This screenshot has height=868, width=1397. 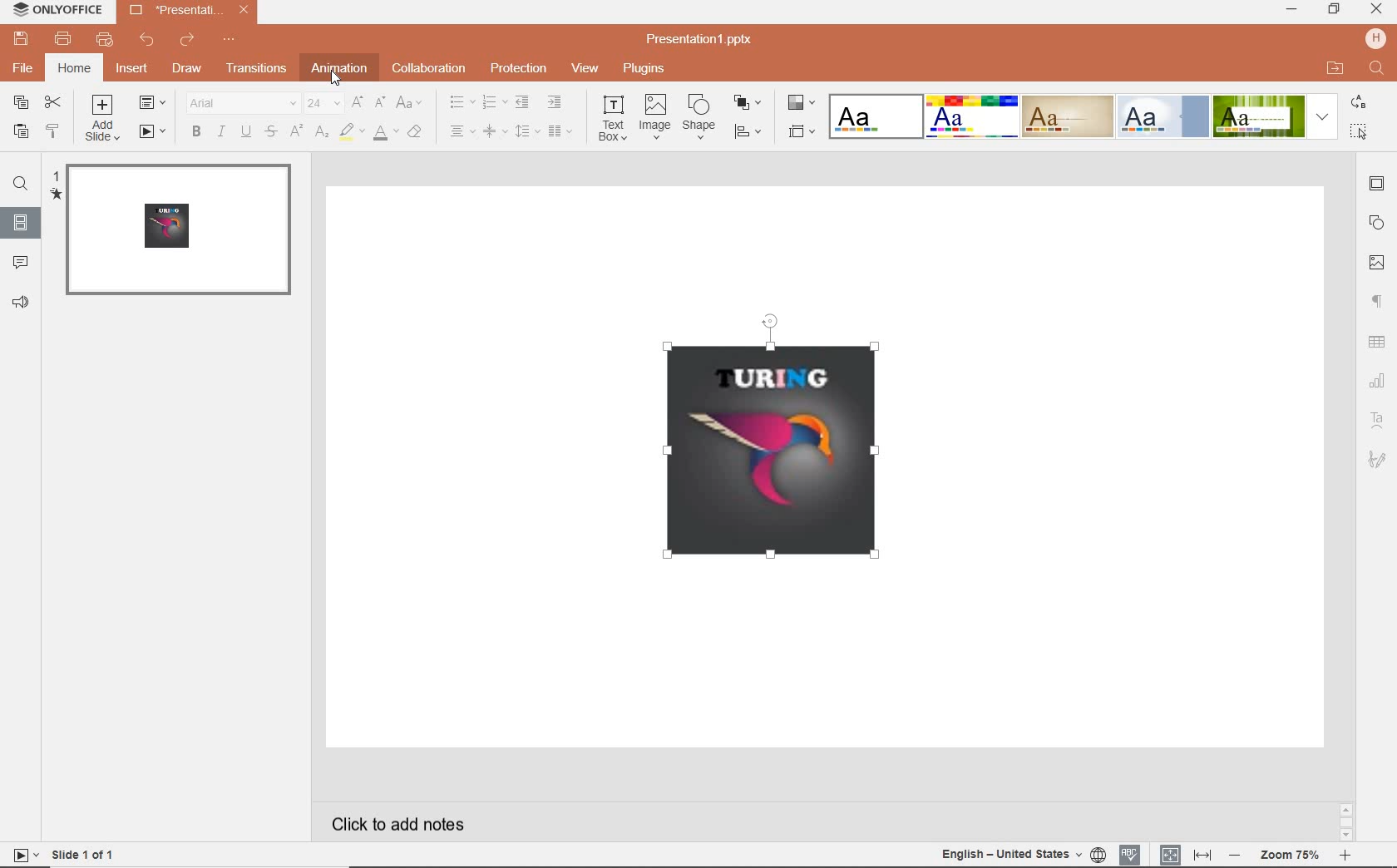 I want to click on font color, so click(x=385, y=133).